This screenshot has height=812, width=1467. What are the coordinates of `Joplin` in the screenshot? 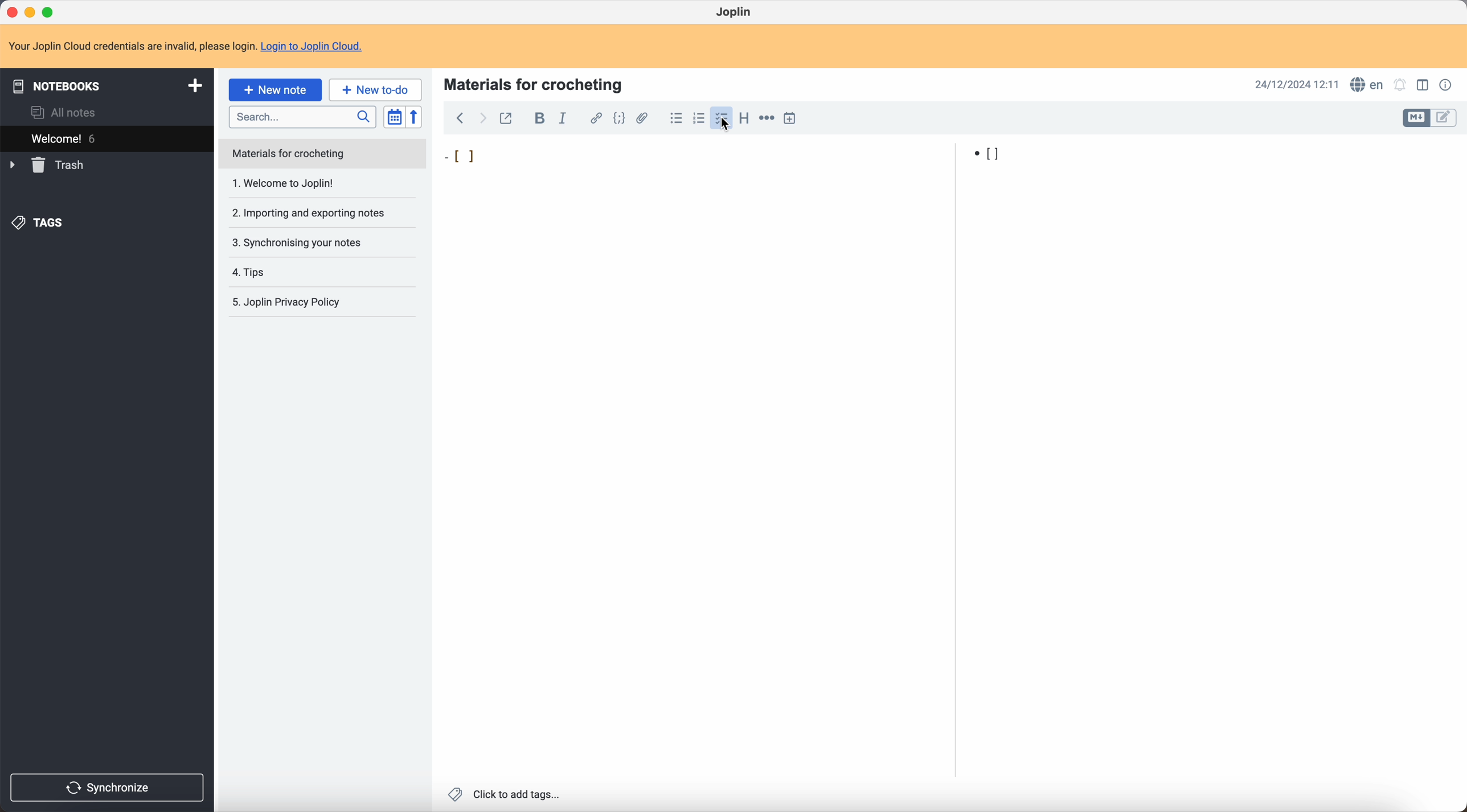 It's located at (735, 13).